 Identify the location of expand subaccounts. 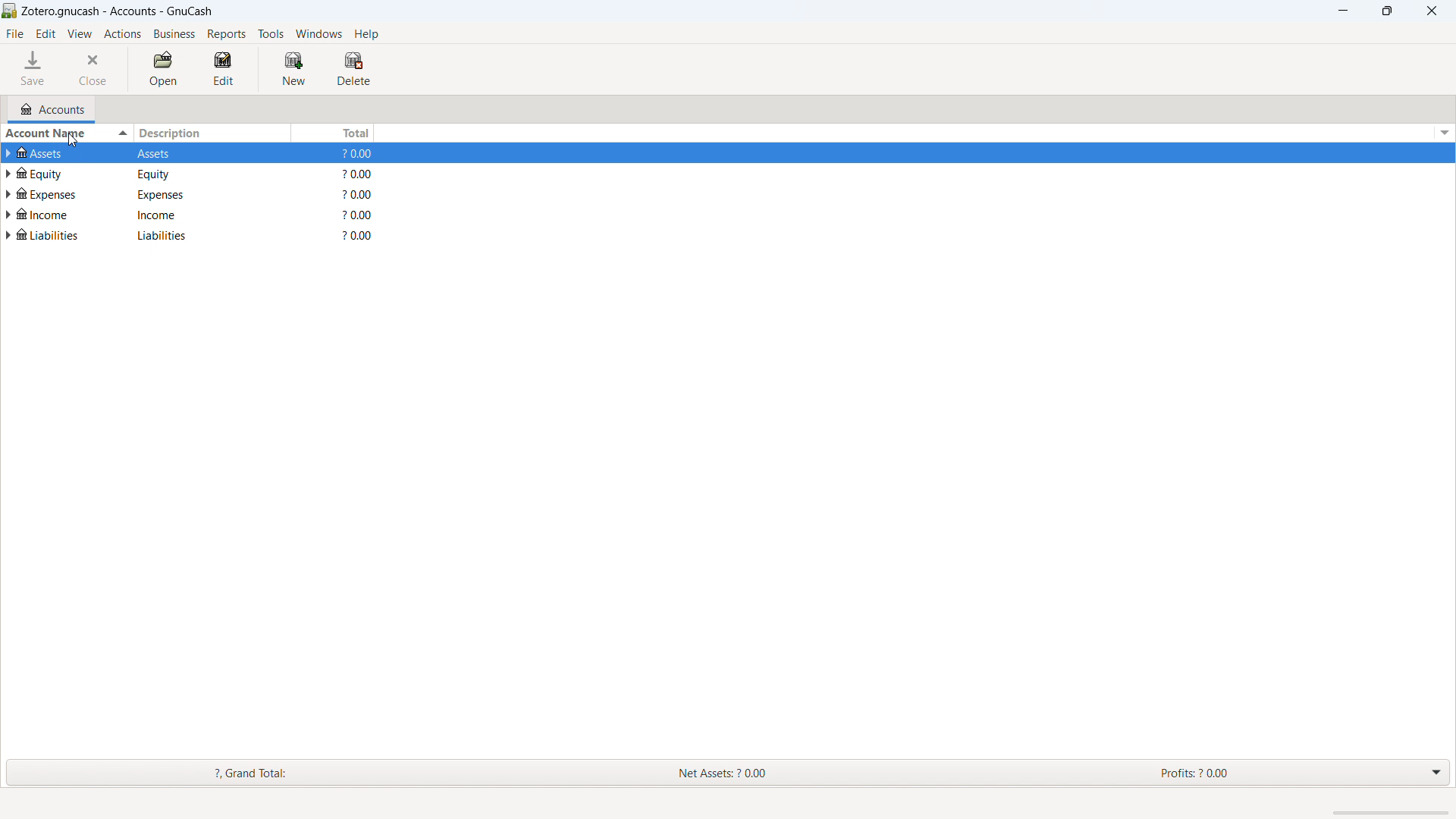
(9, 152).